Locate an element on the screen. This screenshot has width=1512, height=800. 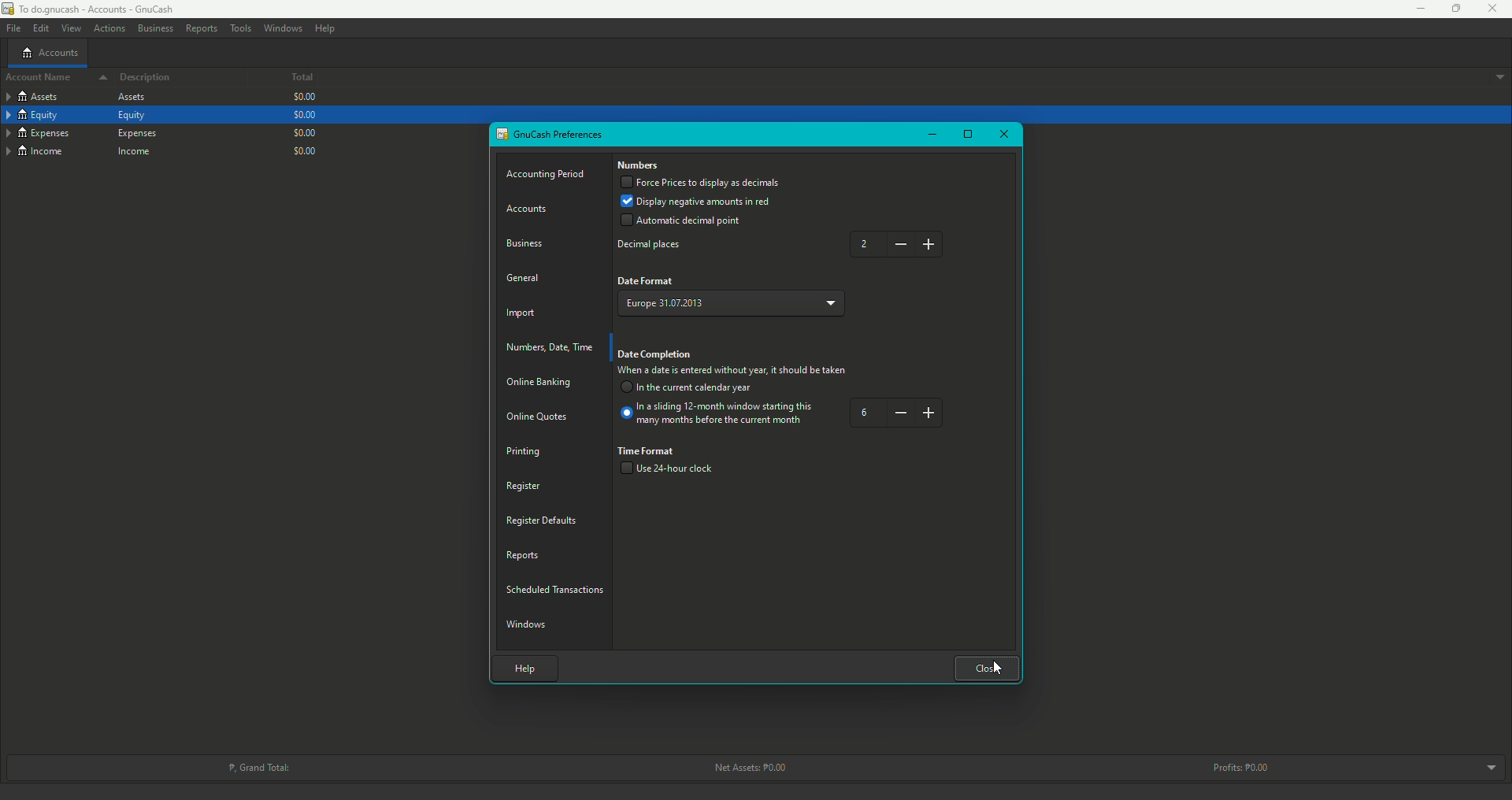
Restore is located at coordinates (968, 135).